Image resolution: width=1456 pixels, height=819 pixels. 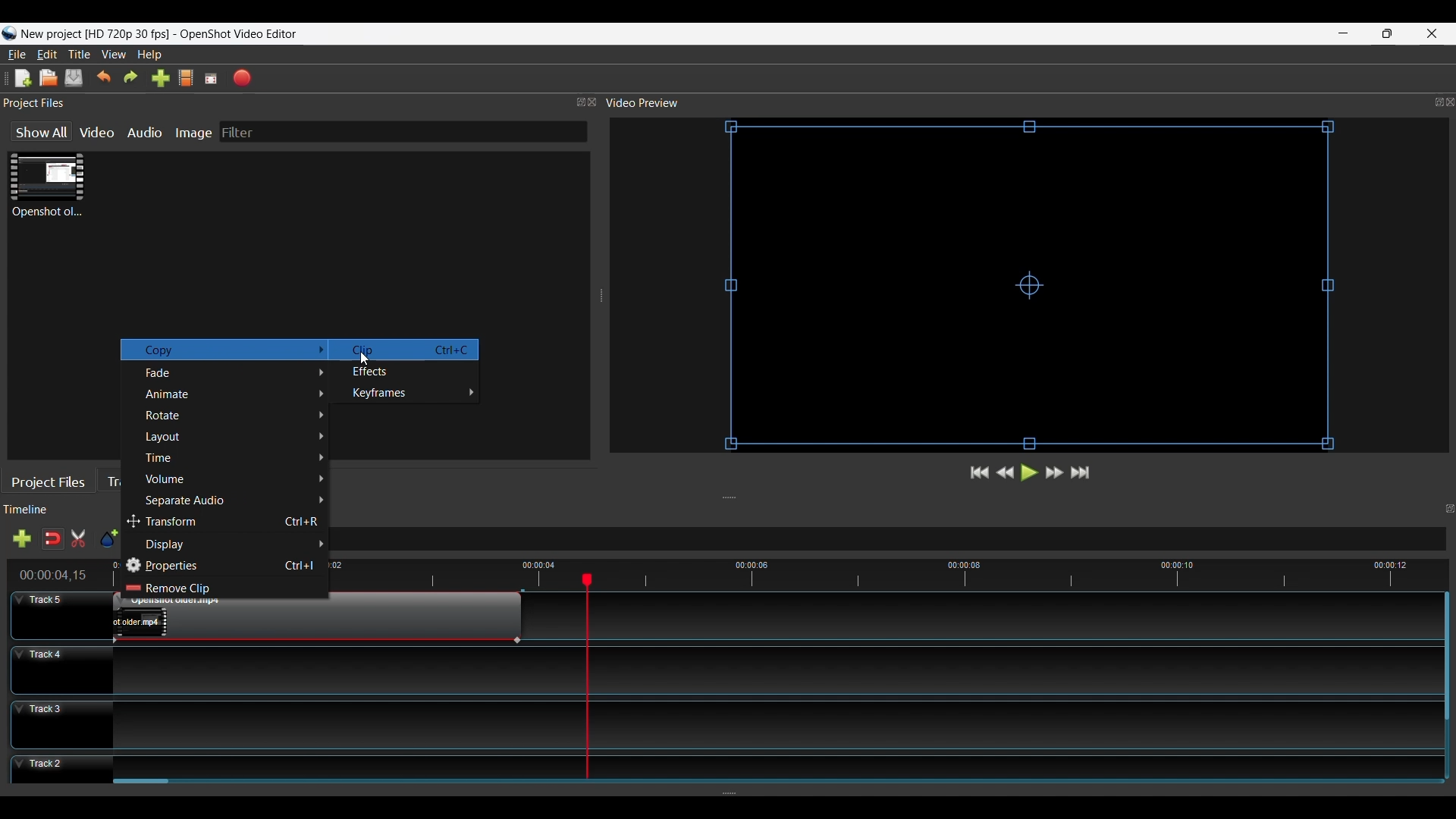 What do you see at coordinates (221, 351) in the screenshot?
I see `Copy` at bounding box center [221, 351].